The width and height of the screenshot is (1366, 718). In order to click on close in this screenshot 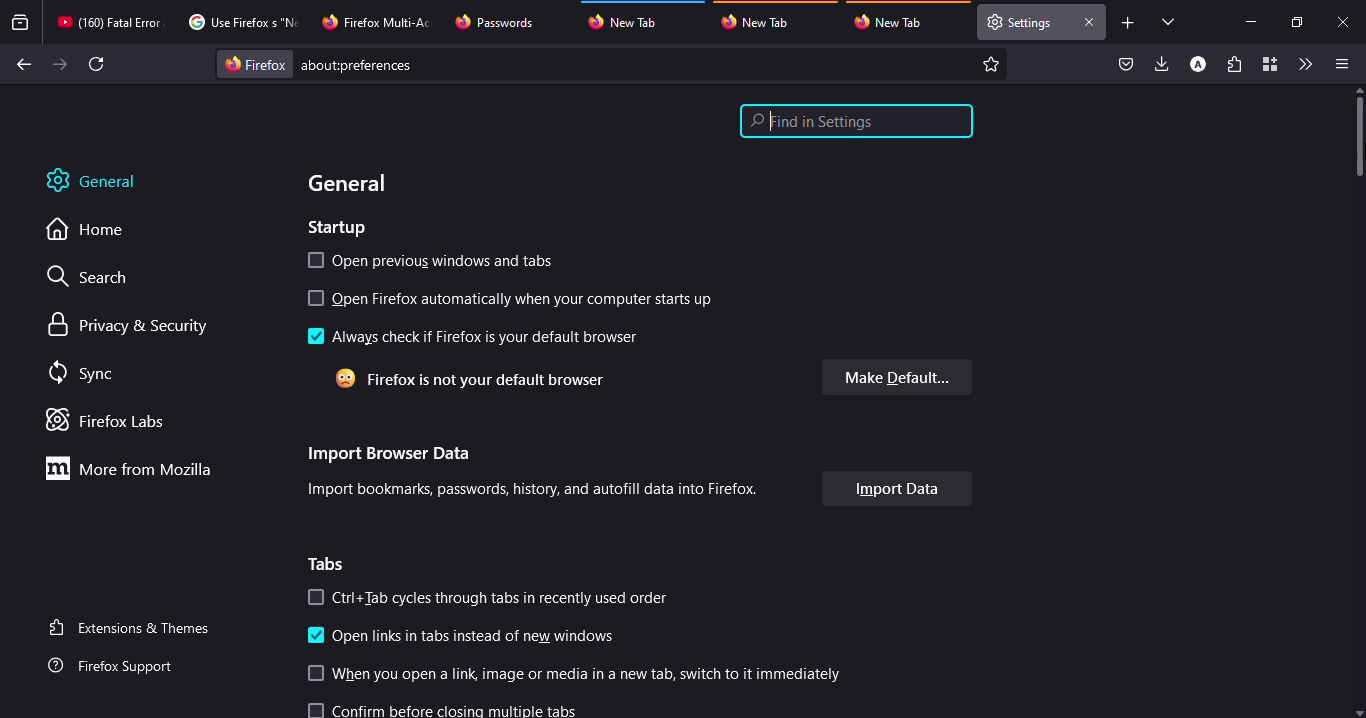, I will do `click(1088, 22)`.